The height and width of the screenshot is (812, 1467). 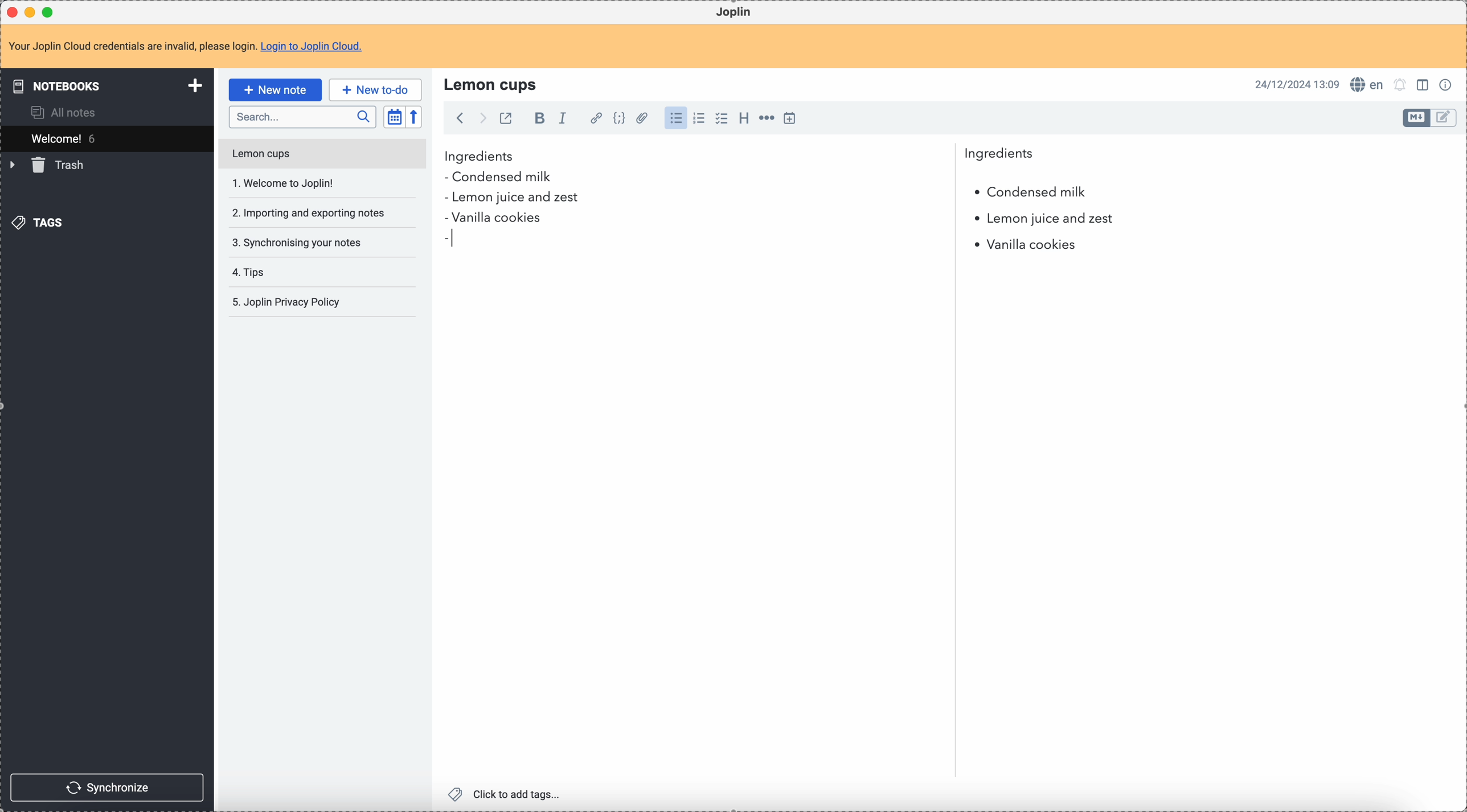 What do you see at coordinates (450, 240) in the screenshot?
I see `bullet point` at bounding box center [450, 240].